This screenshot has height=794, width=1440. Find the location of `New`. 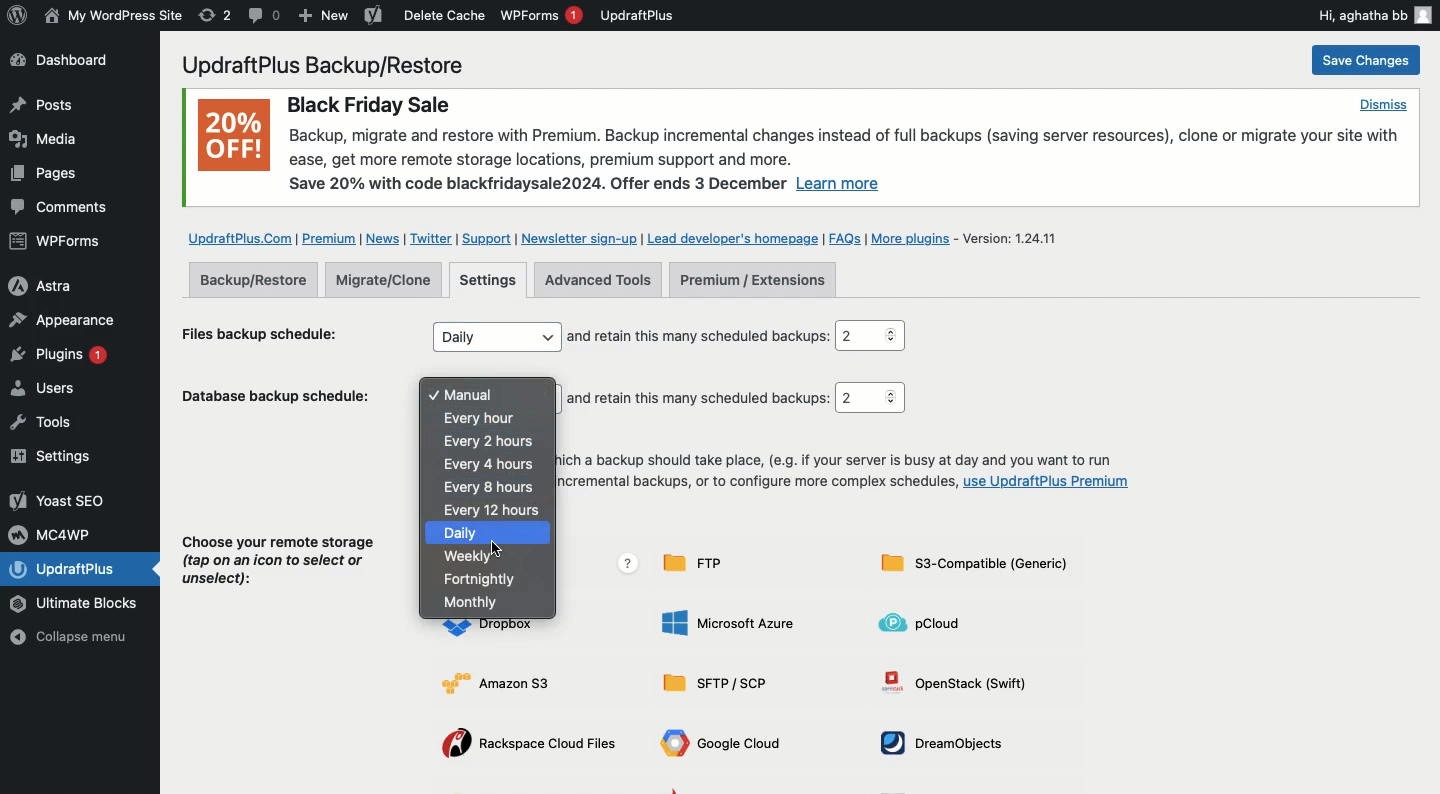

New is located at coordinates (324, 17).